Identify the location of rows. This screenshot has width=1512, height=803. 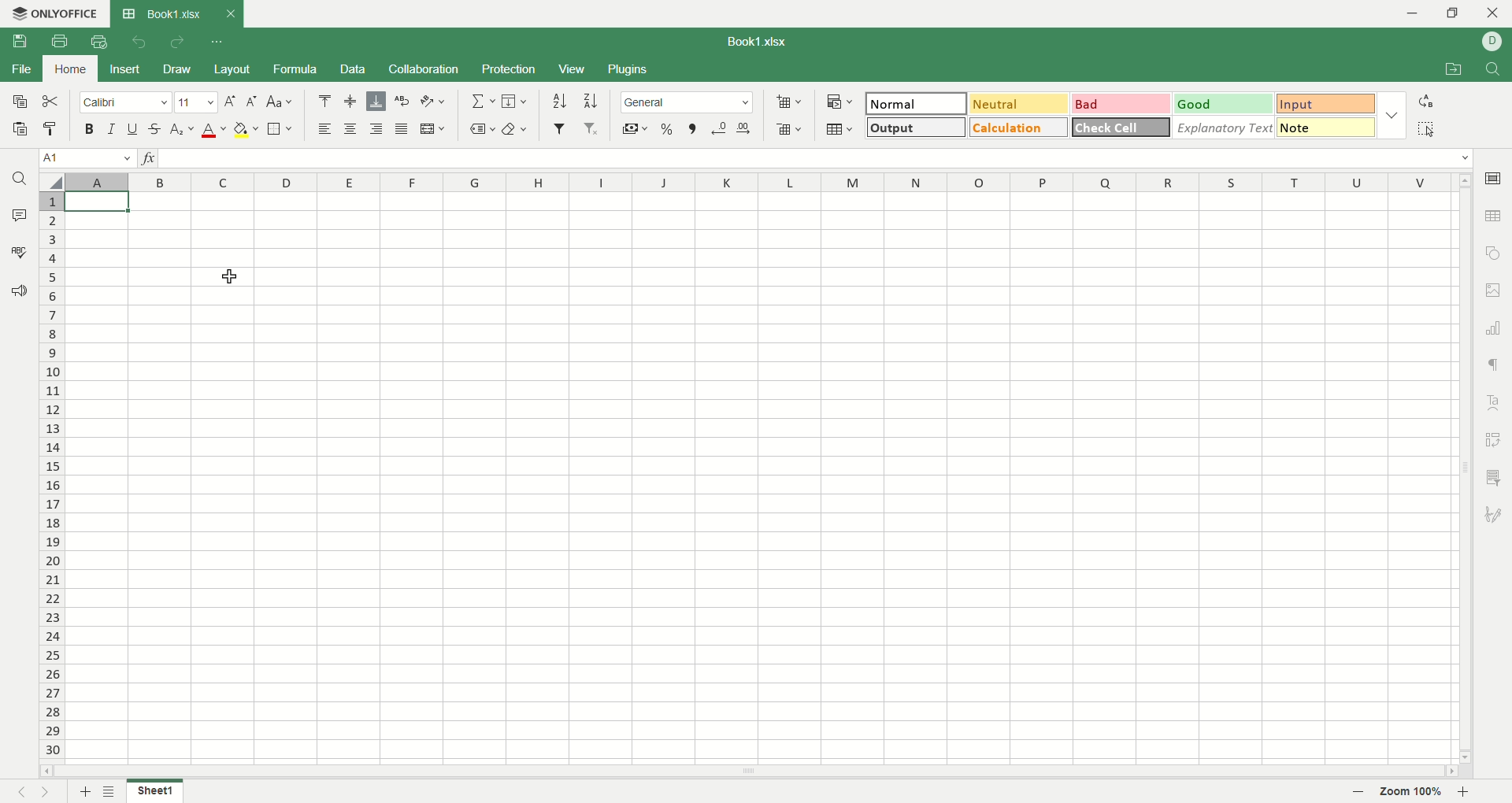
(49, 479).